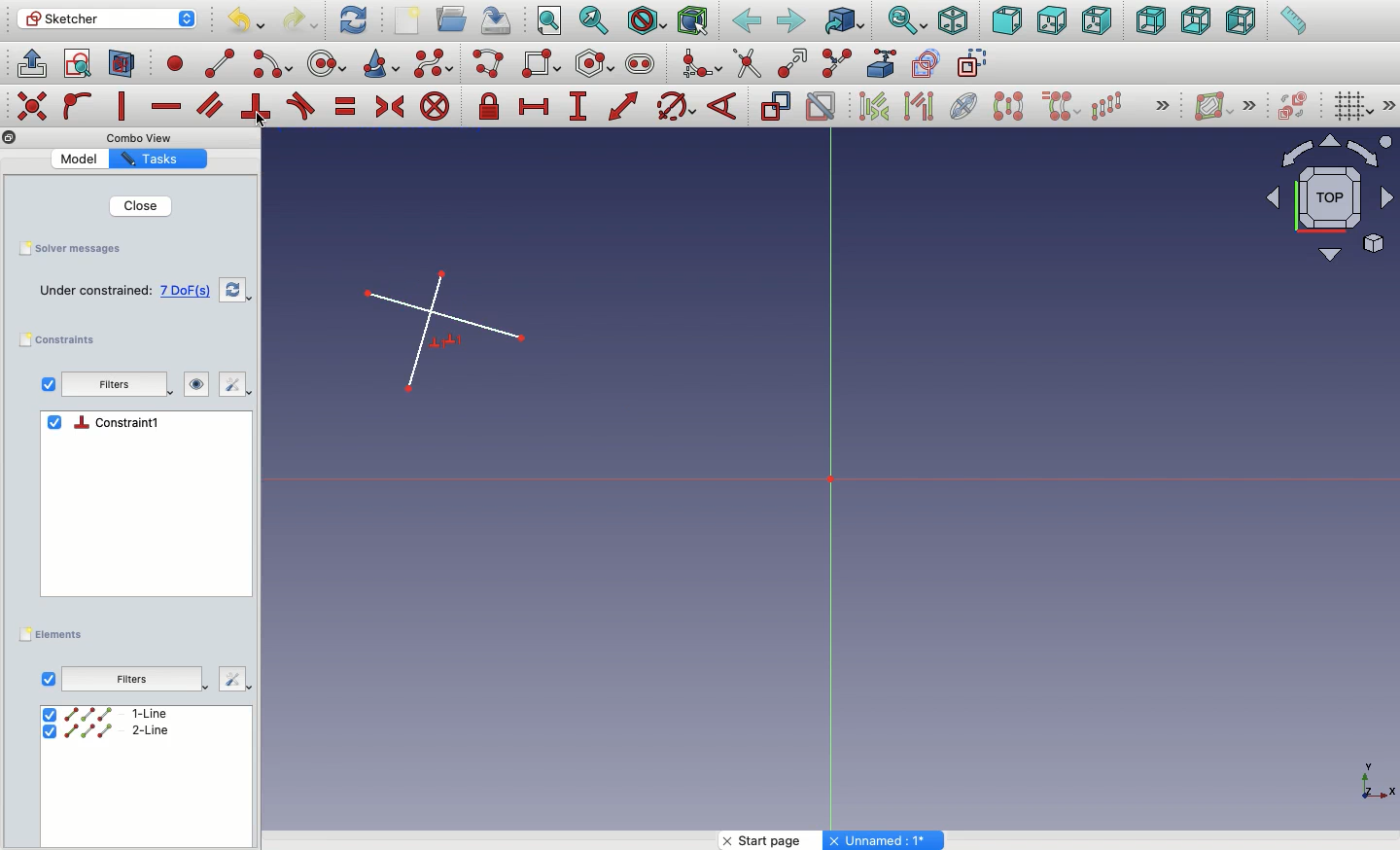 This screenshot has width=1400, height=850. I want to click on Edit, so click(234, 385).